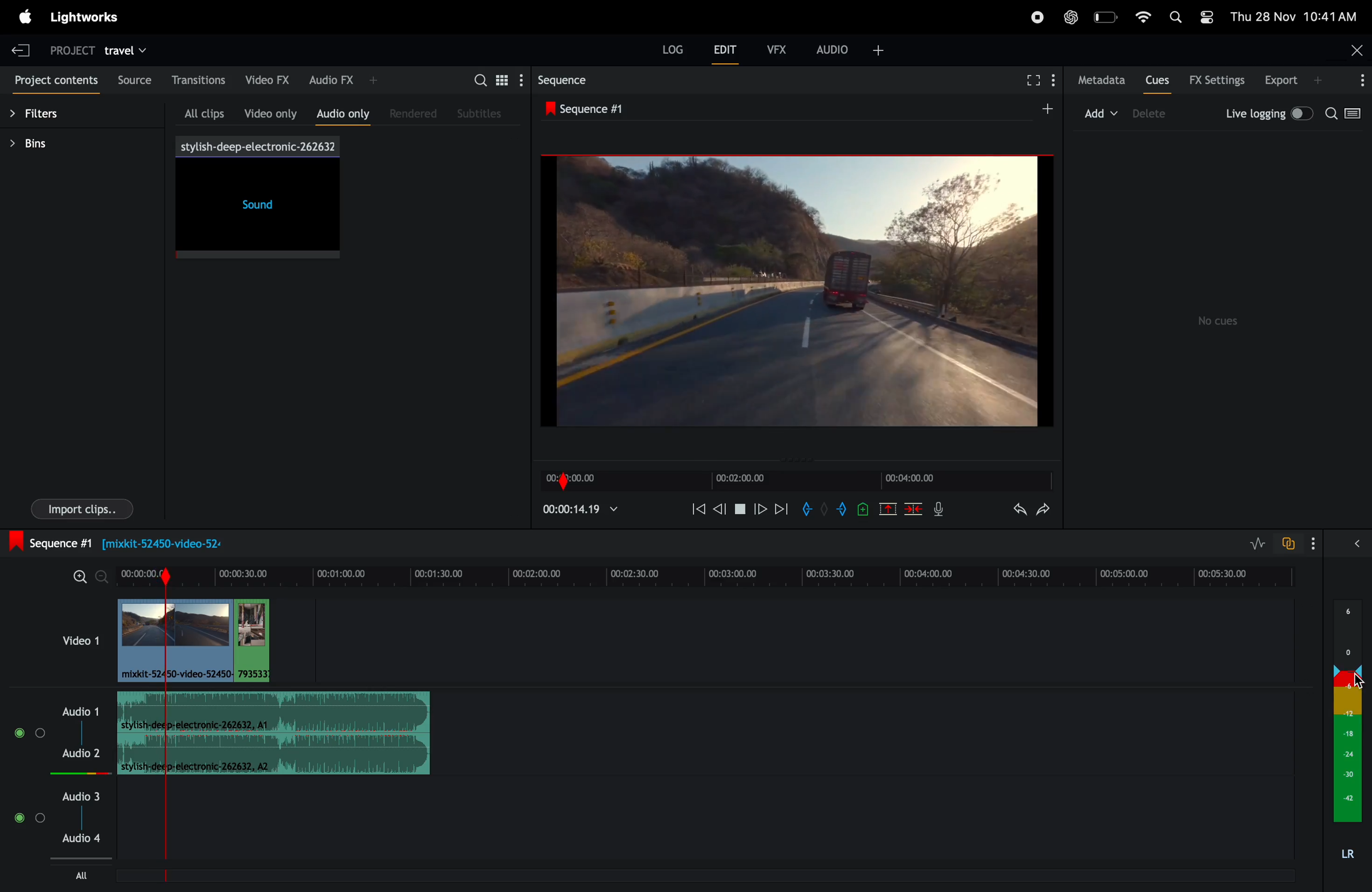 The height and width of the screenshot is (892, 1372). I want to click on video time, so click(756, 478).